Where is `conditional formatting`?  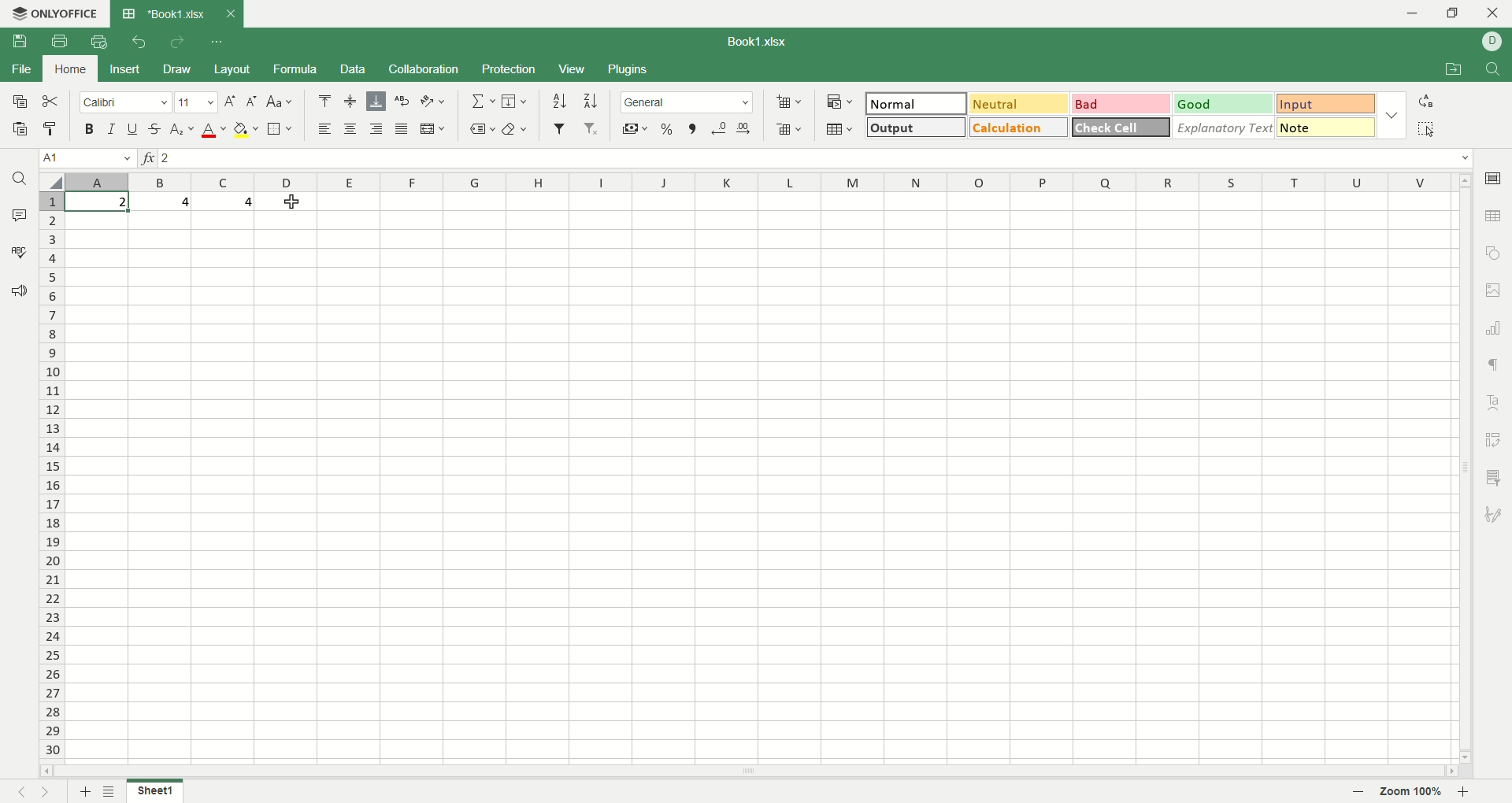 conditional formatting is located at coordinates (837, 103).